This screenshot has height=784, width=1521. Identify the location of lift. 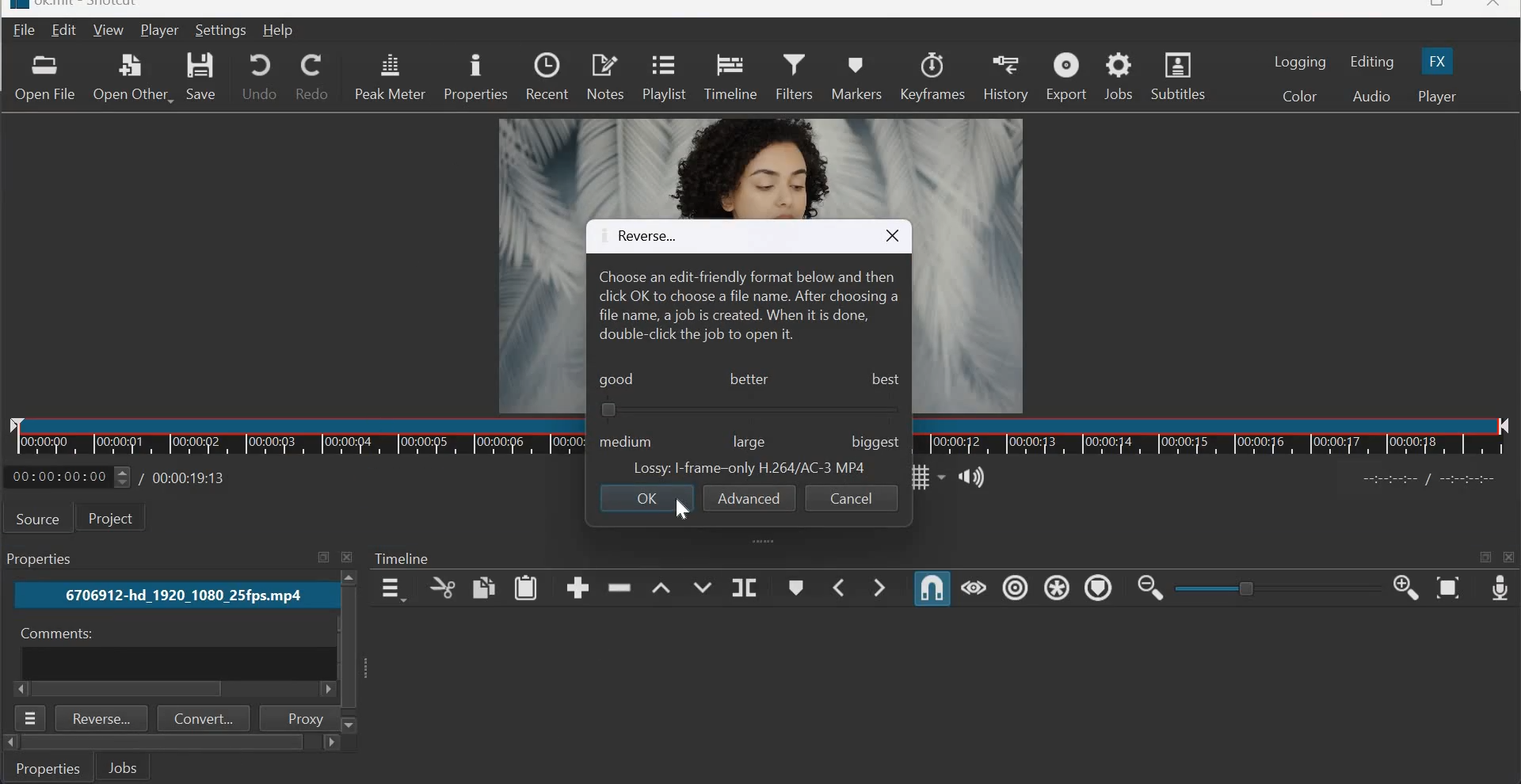
(661, 585).